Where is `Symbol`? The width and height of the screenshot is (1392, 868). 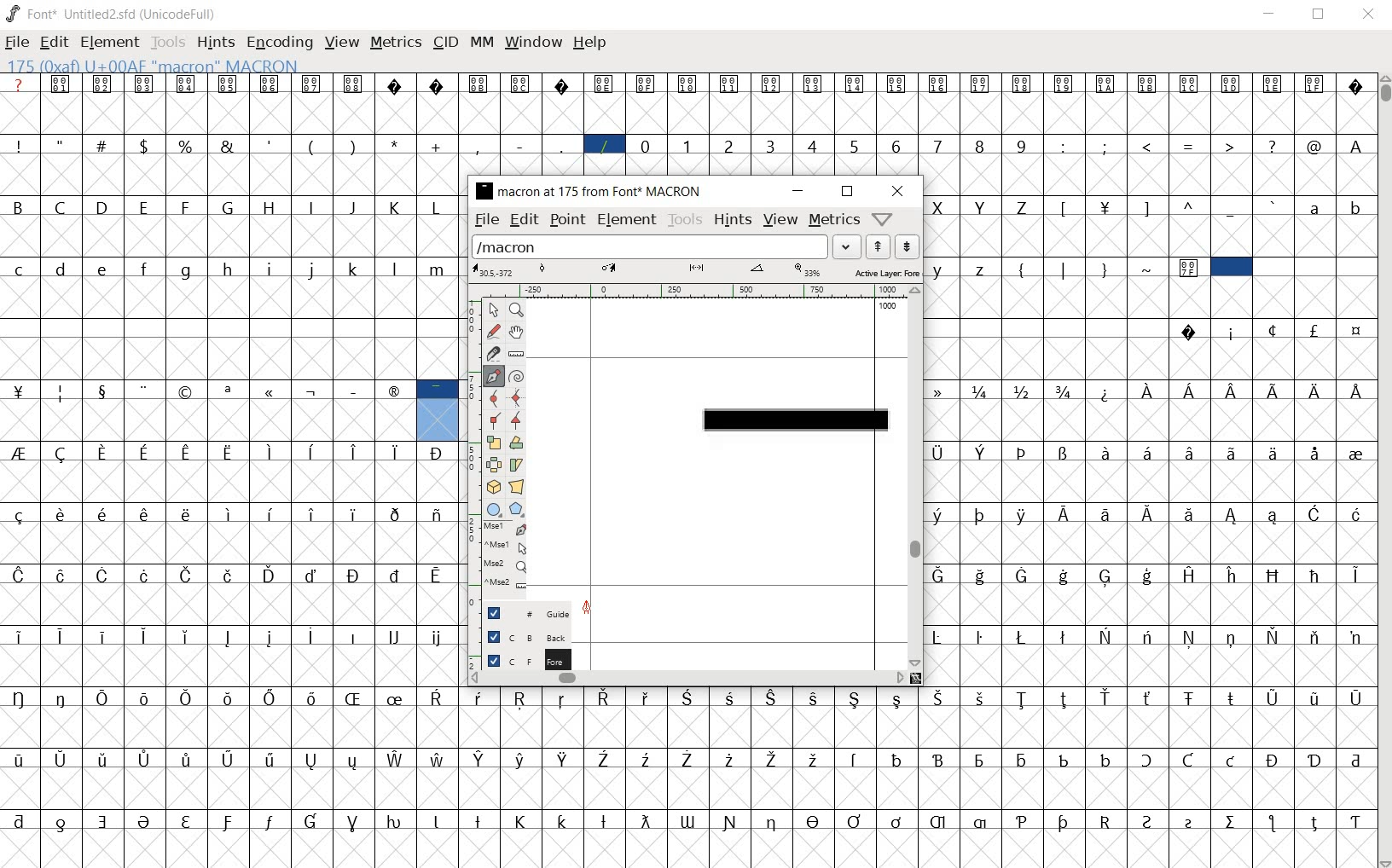
Symbol is located at coordinates (983, 698).